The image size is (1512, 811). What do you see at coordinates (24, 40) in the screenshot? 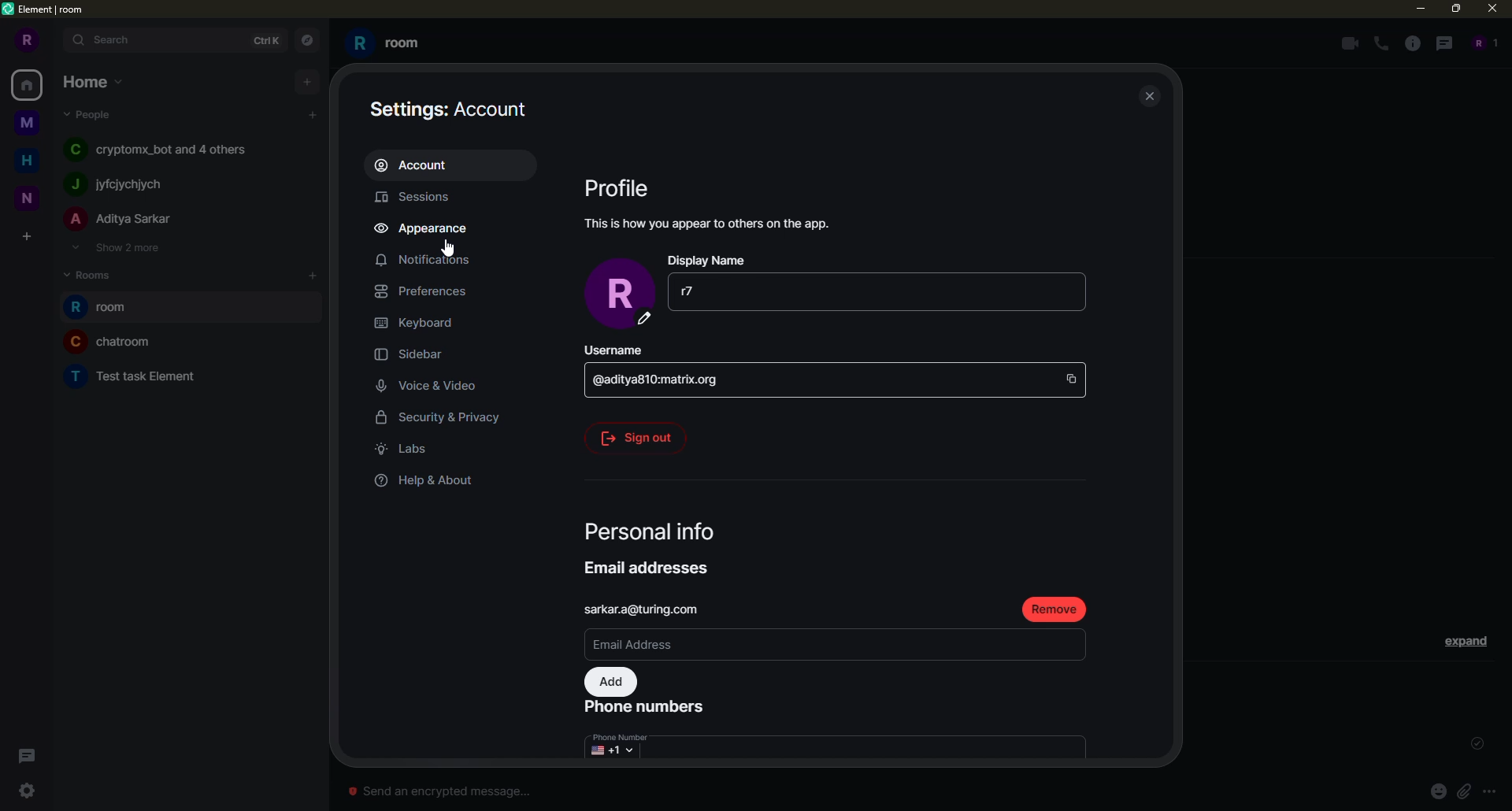
I see `profile` at bounding box center [24, 40].